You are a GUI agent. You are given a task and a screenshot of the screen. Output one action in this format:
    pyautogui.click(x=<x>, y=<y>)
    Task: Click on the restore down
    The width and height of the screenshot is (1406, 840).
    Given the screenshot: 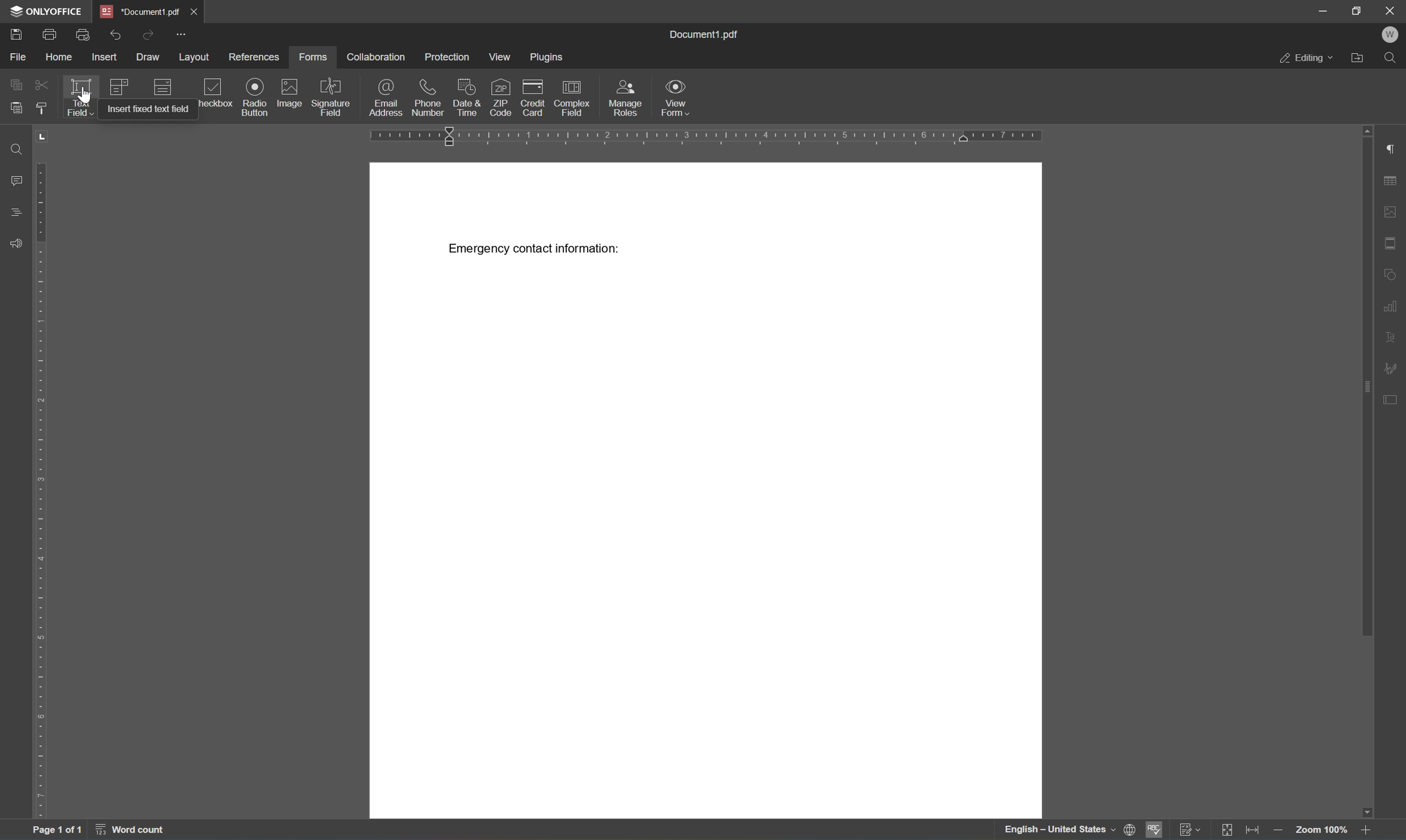 What is the action you would take?
    pyautogui.click(x=1357, y=10)
    